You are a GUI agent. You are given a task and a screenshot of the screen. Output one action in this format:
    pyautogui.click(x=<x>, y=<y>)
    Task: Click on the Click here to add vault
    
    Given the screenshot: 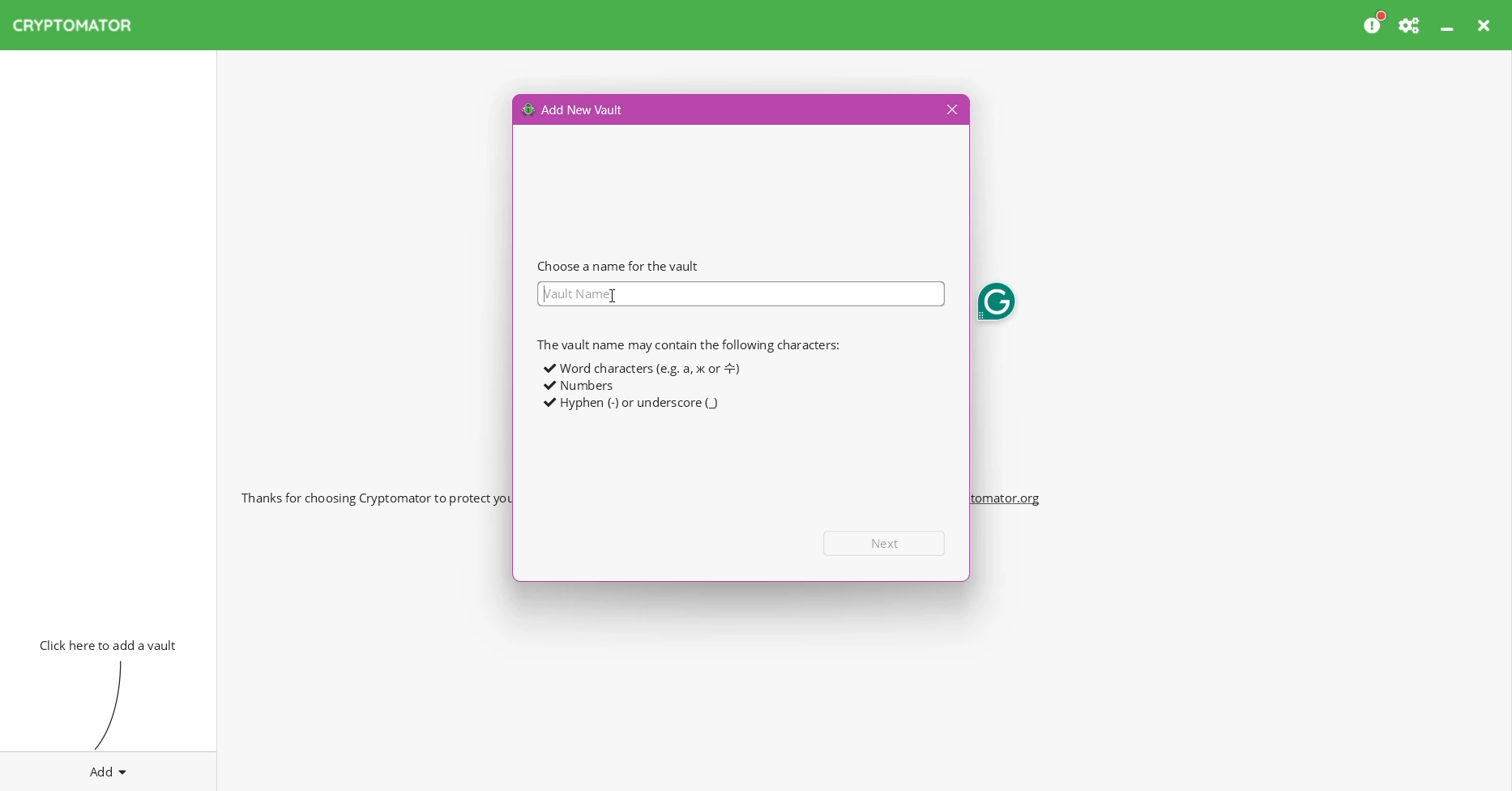 What is the action you would take?
    pyautogui.click(x=105, y=643)
    